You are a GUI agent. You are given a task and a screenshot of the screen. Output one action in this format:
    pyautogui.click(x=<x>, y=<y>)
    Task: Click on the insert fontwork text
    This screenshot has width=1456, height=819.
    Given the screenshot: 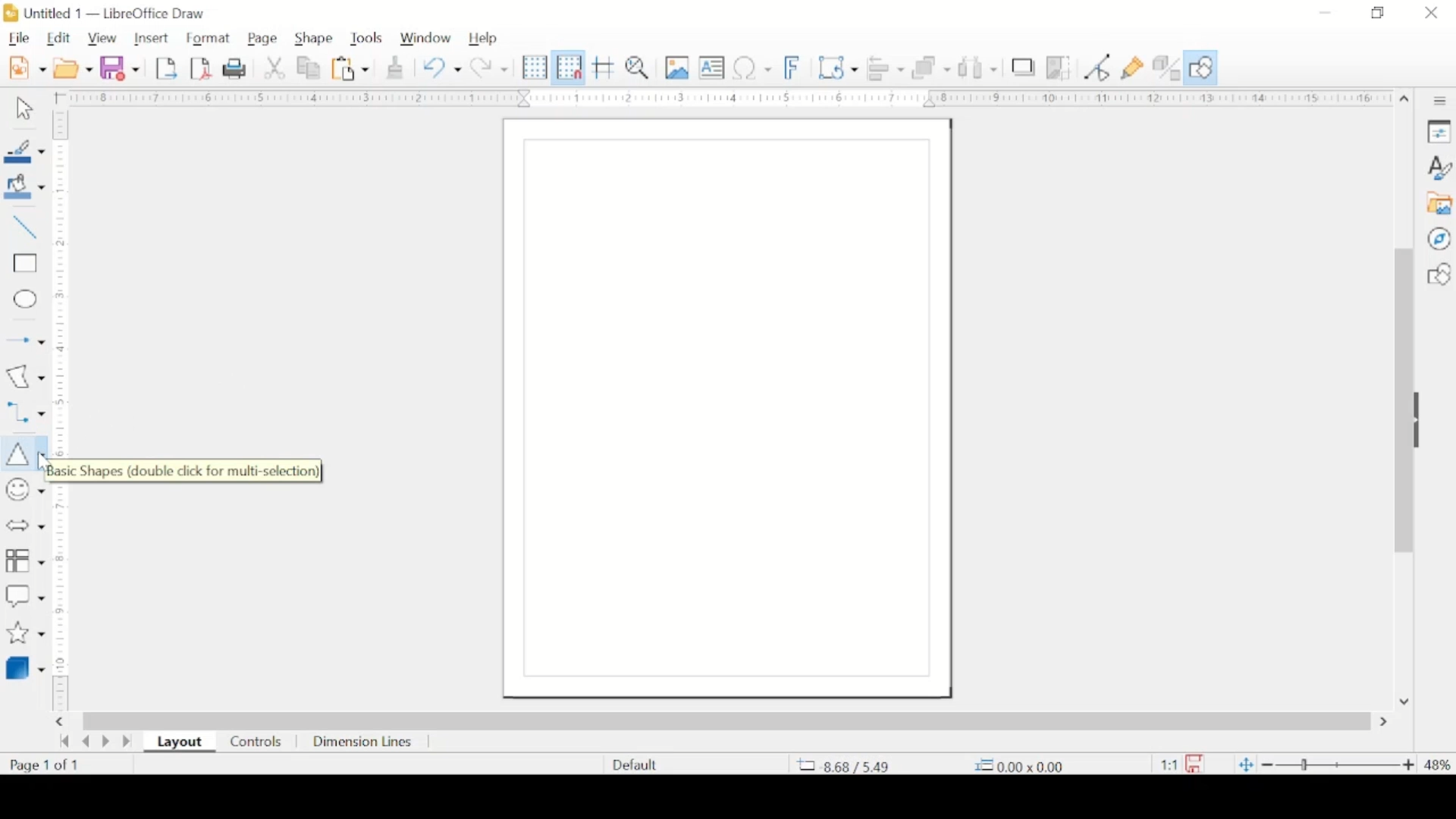 What is the action you would take?
    pyautogui.click(x=794, y=67)
    